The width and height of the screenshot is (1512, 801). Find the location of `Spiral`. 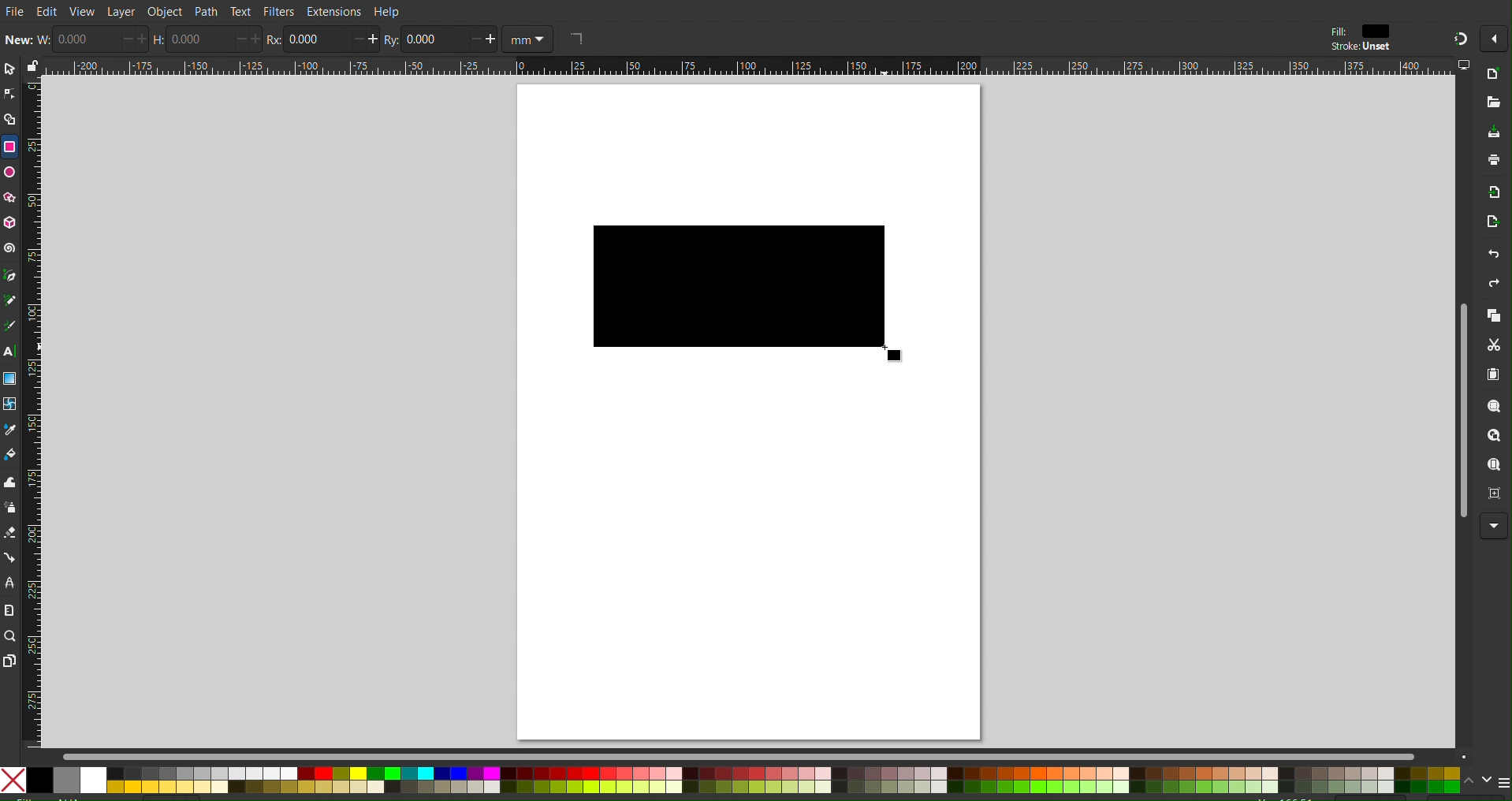

Spiral is located at coordinates (9, 248).